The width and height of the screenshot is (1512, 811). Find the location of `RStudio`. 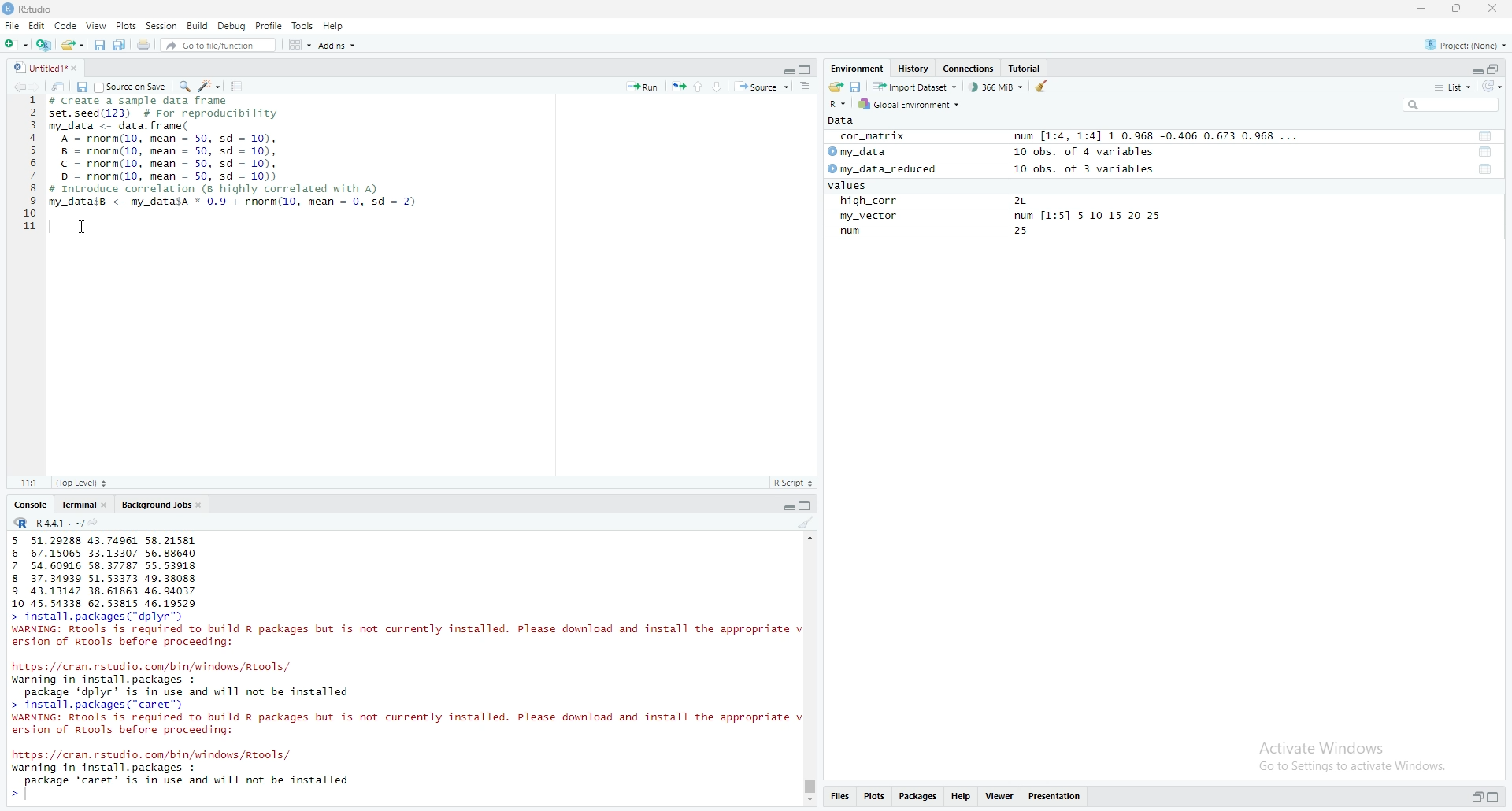

RStudio is located at coordinates (38, 9).